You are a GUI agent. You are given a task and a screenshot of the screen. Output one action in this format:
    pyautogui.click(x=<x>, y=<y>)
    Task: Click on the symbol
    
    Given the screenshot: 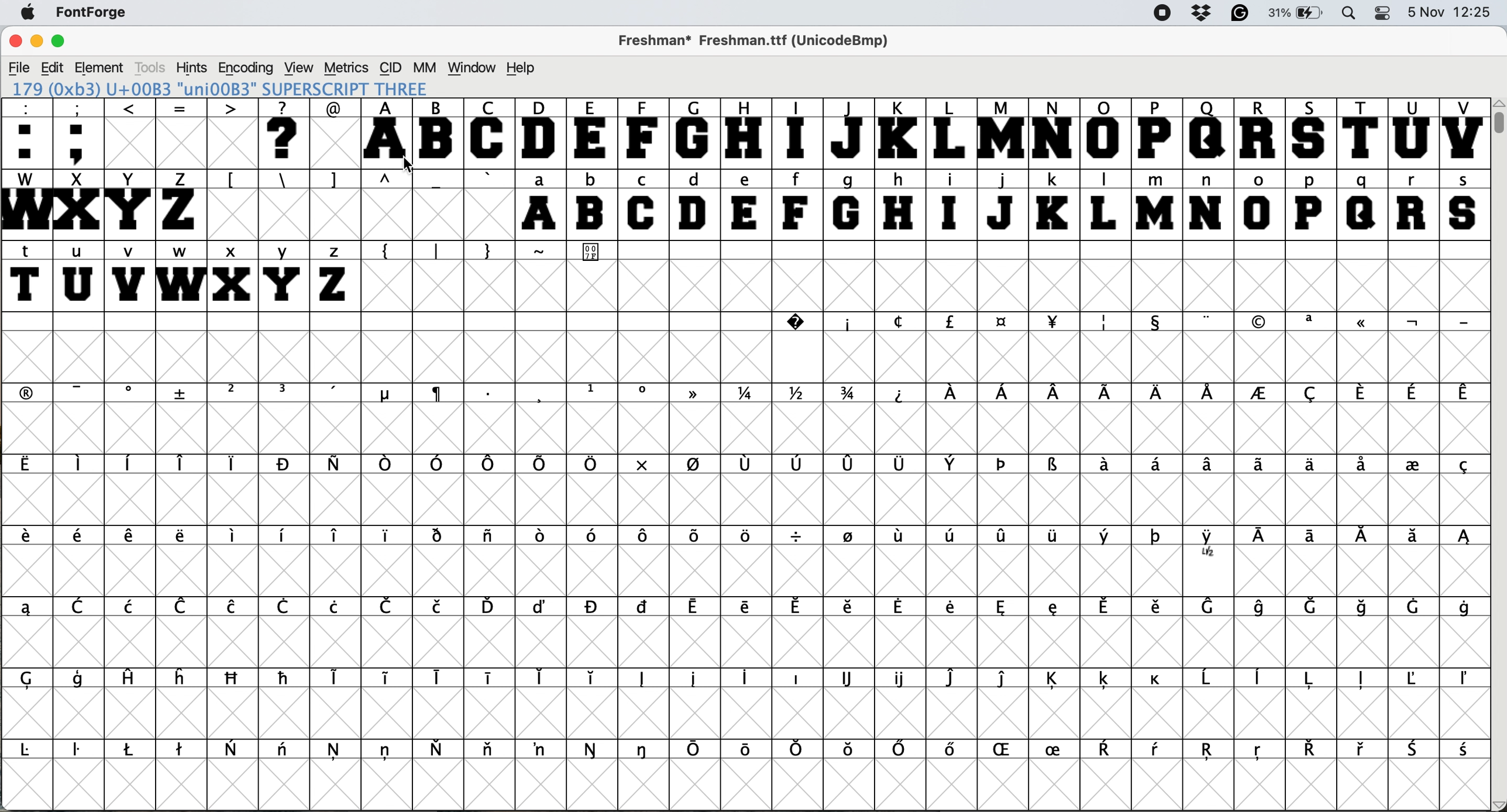 What is the action you would take?
    pyautogui.click(x=1104, y=466)
    